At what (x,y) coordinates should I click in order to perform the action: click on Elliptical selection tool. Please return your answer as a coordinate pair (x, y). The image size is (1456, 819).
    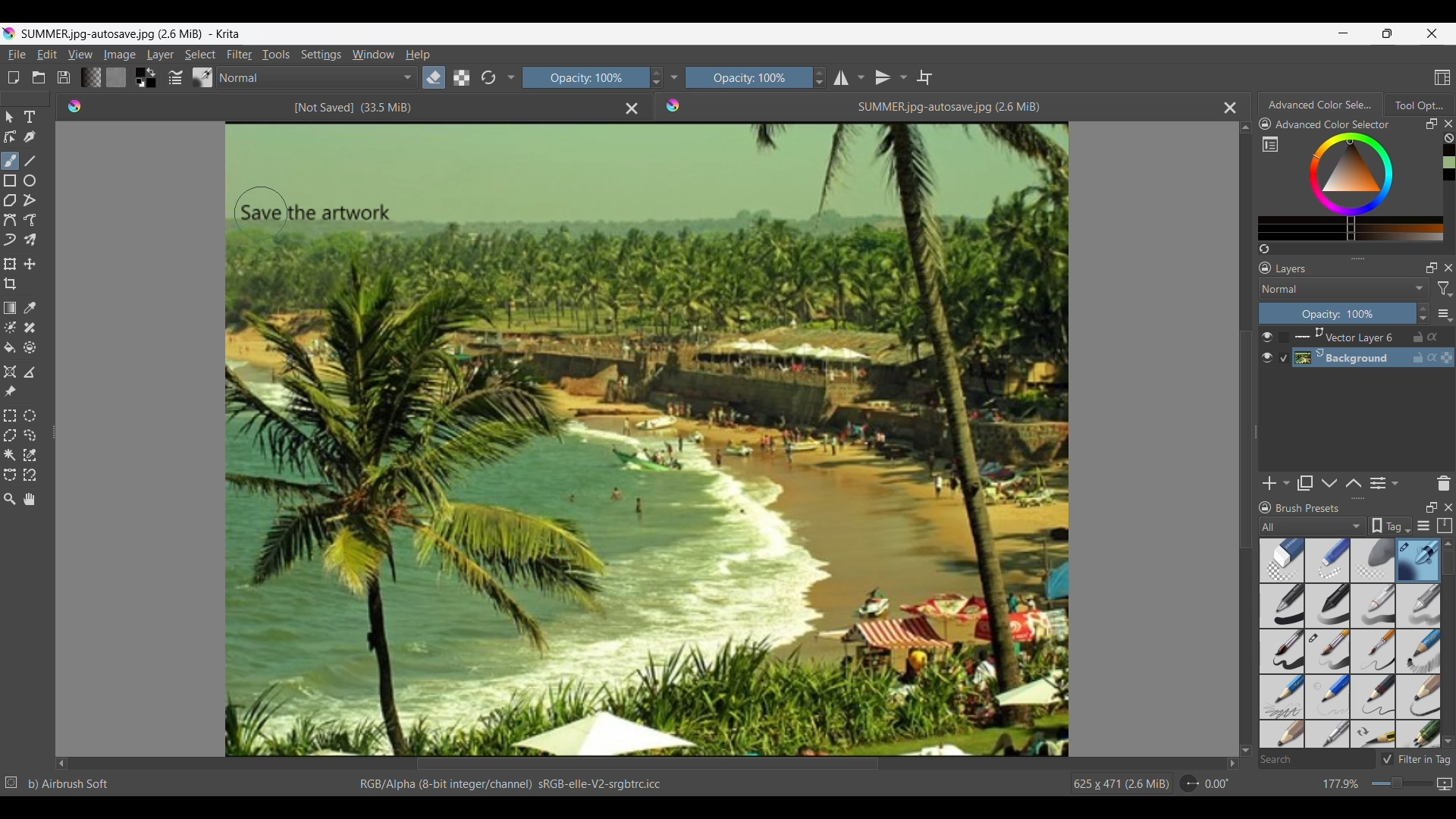
    Looking at the image, I should click on (30, 416).